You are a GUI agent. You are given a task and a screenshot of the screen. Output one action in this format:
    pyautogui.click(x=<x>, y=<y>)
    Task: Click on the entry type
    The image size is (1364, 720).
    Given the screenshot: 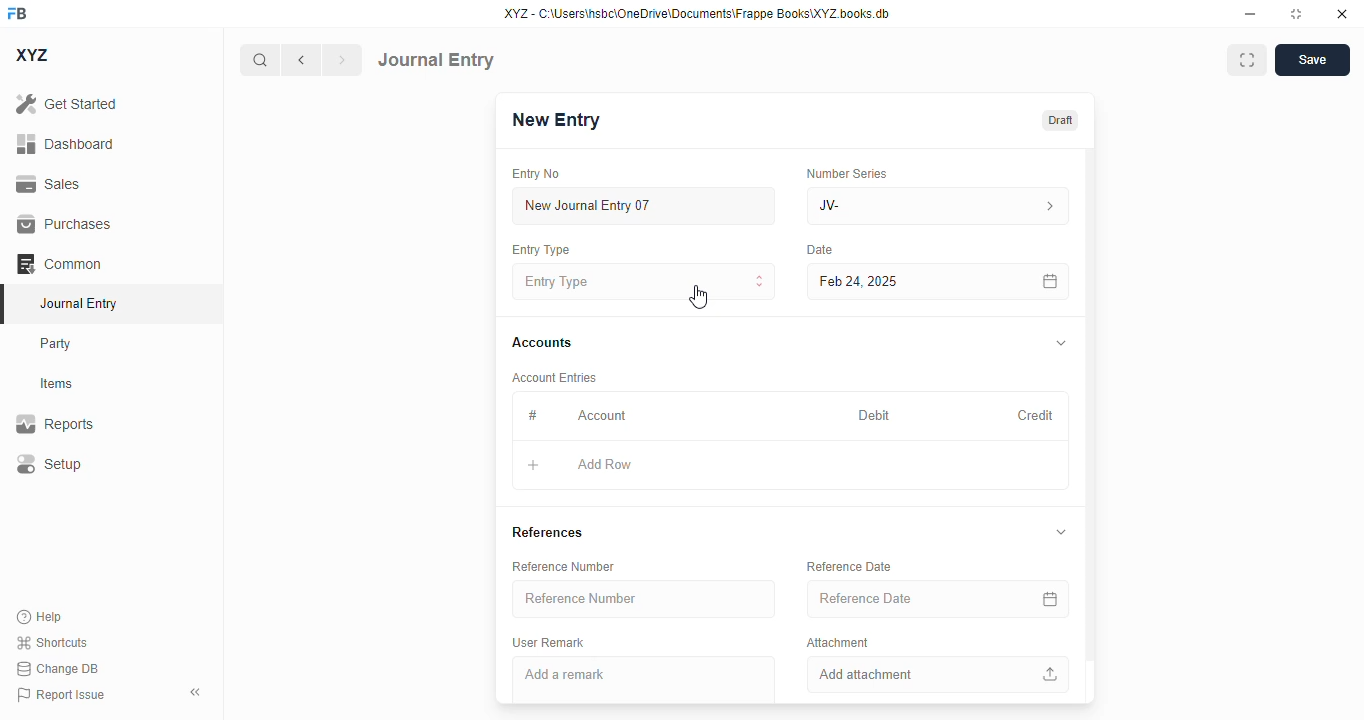 What is the action you would take?
    pyautogui.click(x=542, y=250)
    